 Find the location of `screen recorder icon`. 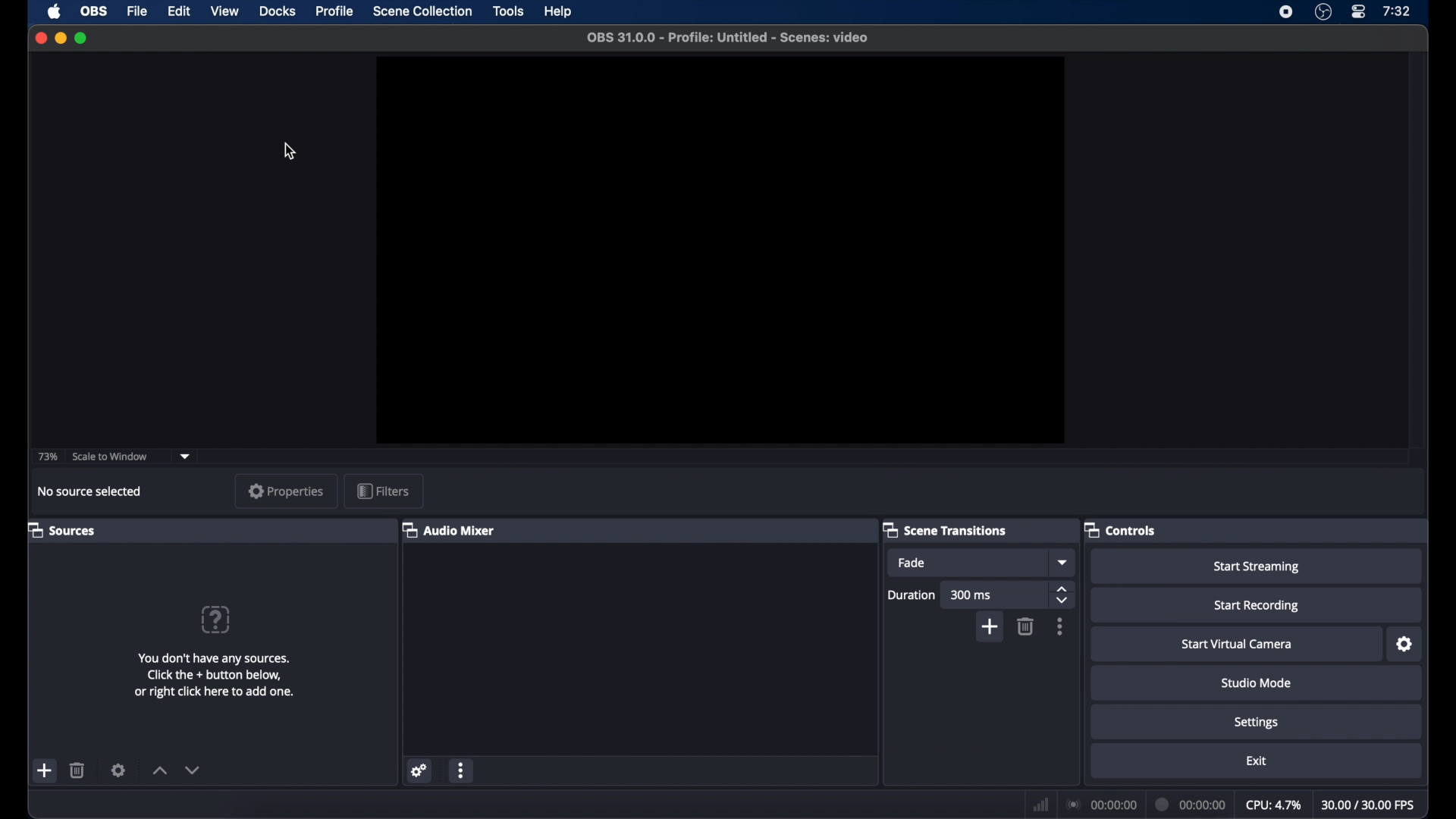

screen recorder icon is located at coordinates (1286, 12).